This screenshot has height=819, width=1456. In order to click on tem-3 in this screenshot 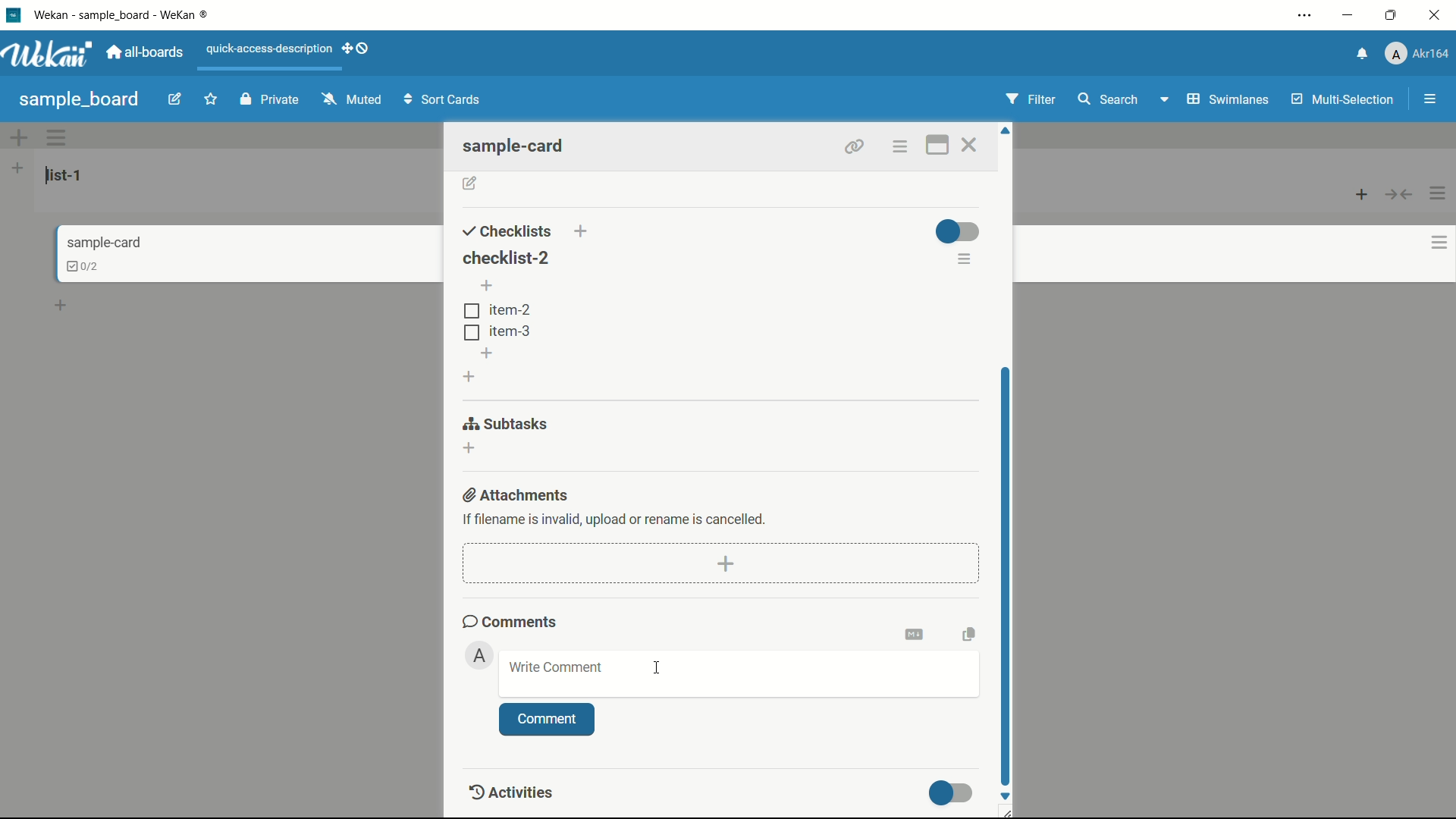, I will do `click(497, 331)`.